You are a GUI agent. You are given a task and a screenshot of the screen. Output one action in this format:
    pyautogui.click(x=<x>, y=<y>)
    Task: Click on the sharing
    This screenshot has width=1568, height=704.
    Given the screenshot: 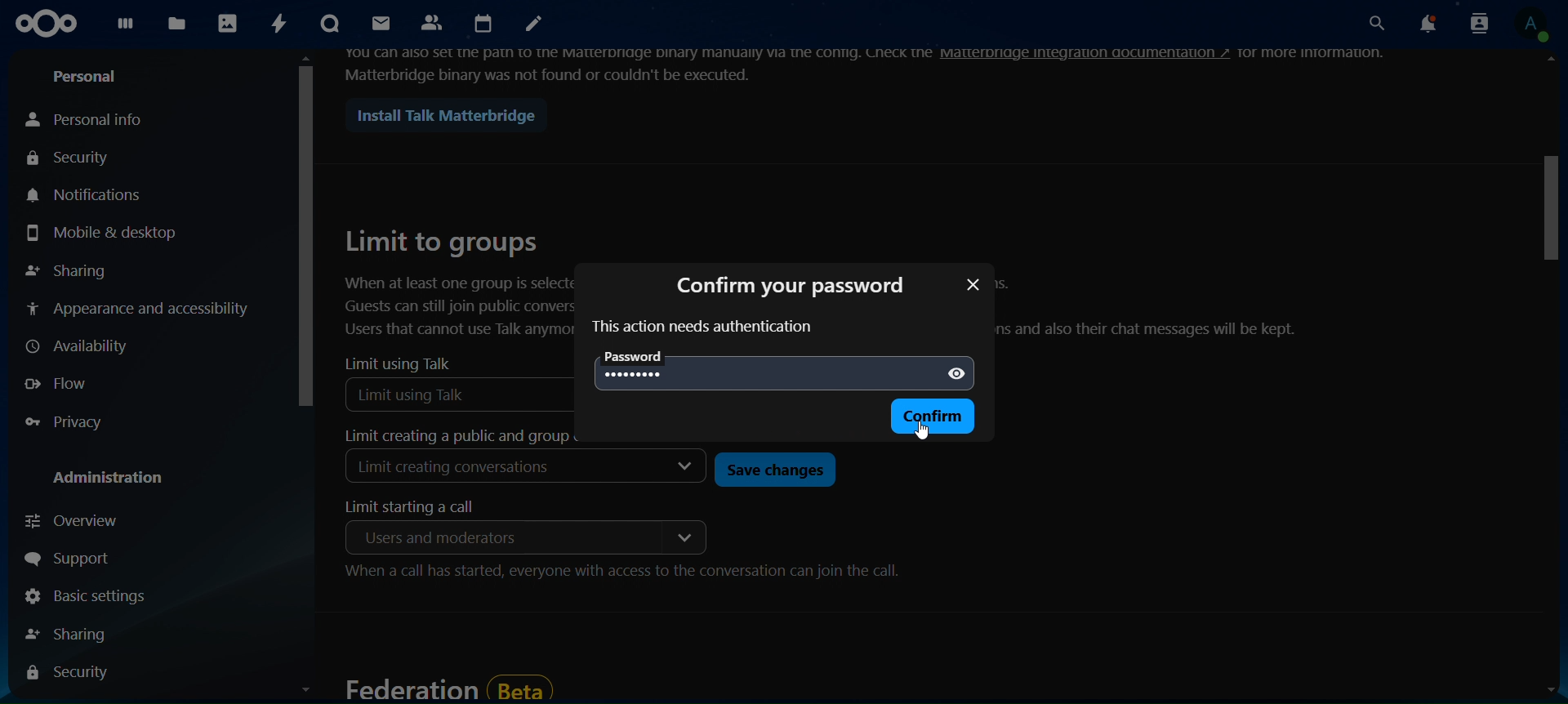 What is the action you would take?
    pyautogui.click(x=66, y=271)
    